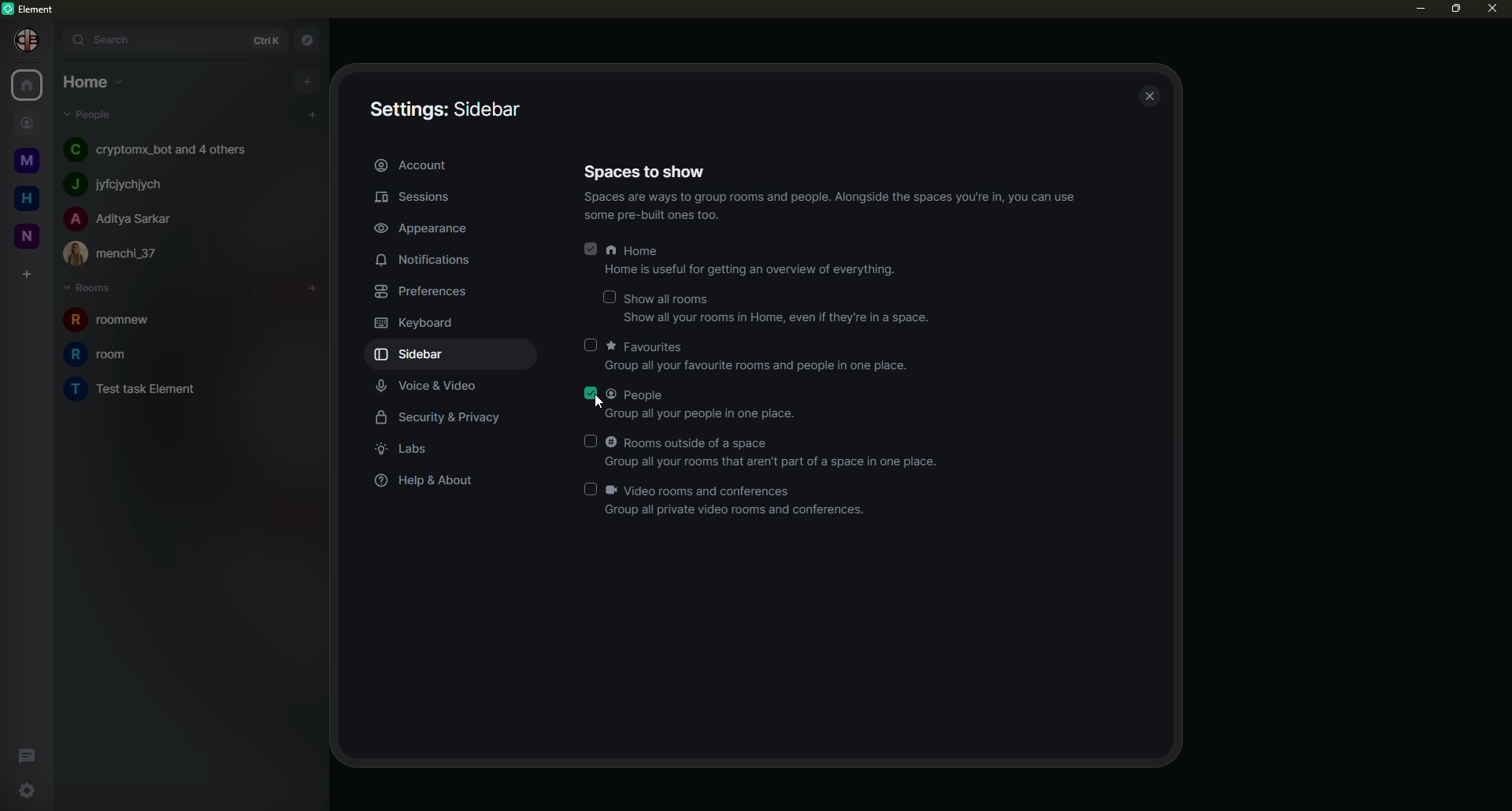 This screenshot has width=1512, height=811. What do you see at coordinates (426, 261) in the screenshot?
I see `notifications` at bounding box center [426, 261].